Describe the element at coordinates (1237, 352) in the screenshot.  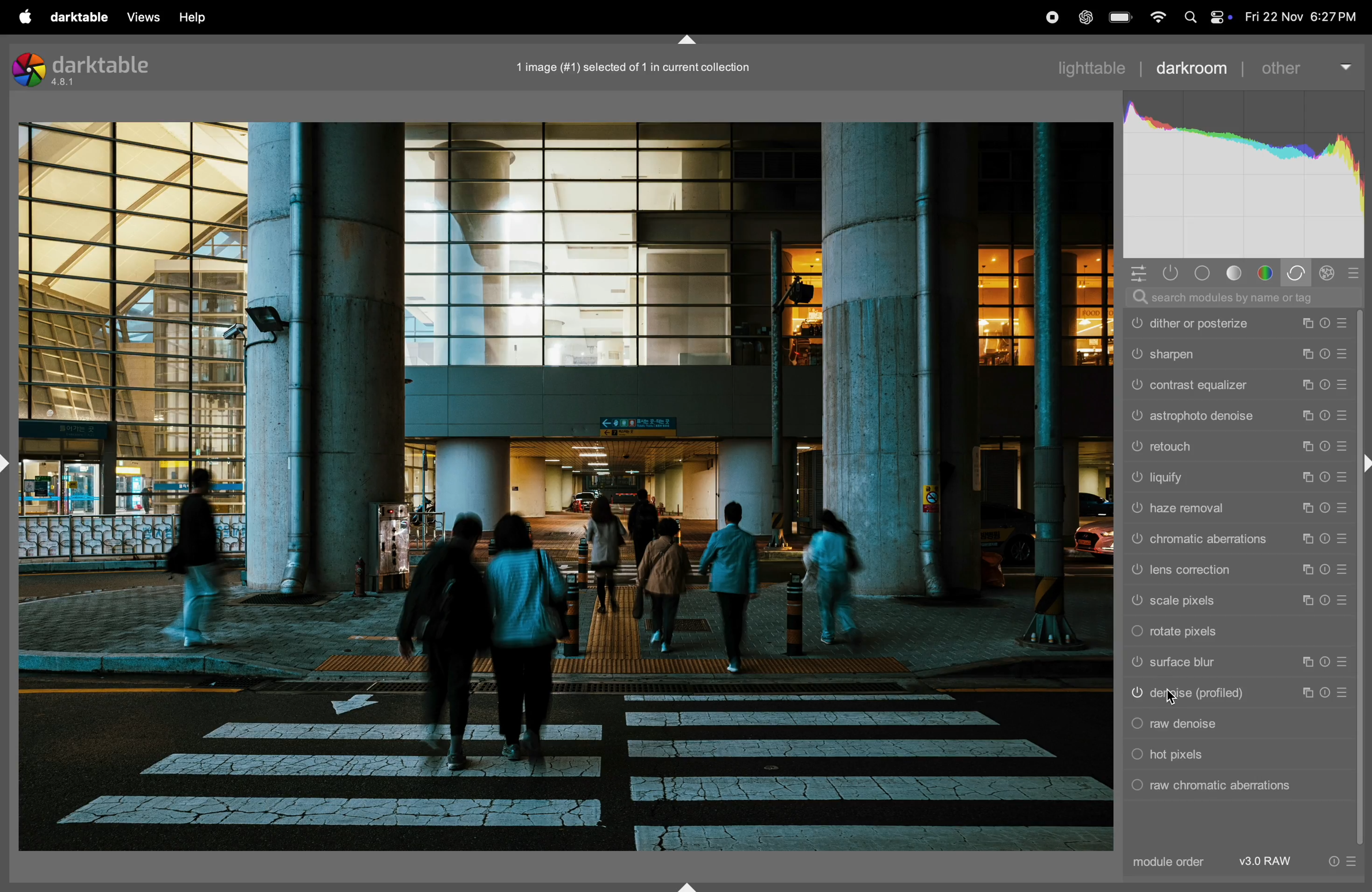
I see `sharpen` at that location.